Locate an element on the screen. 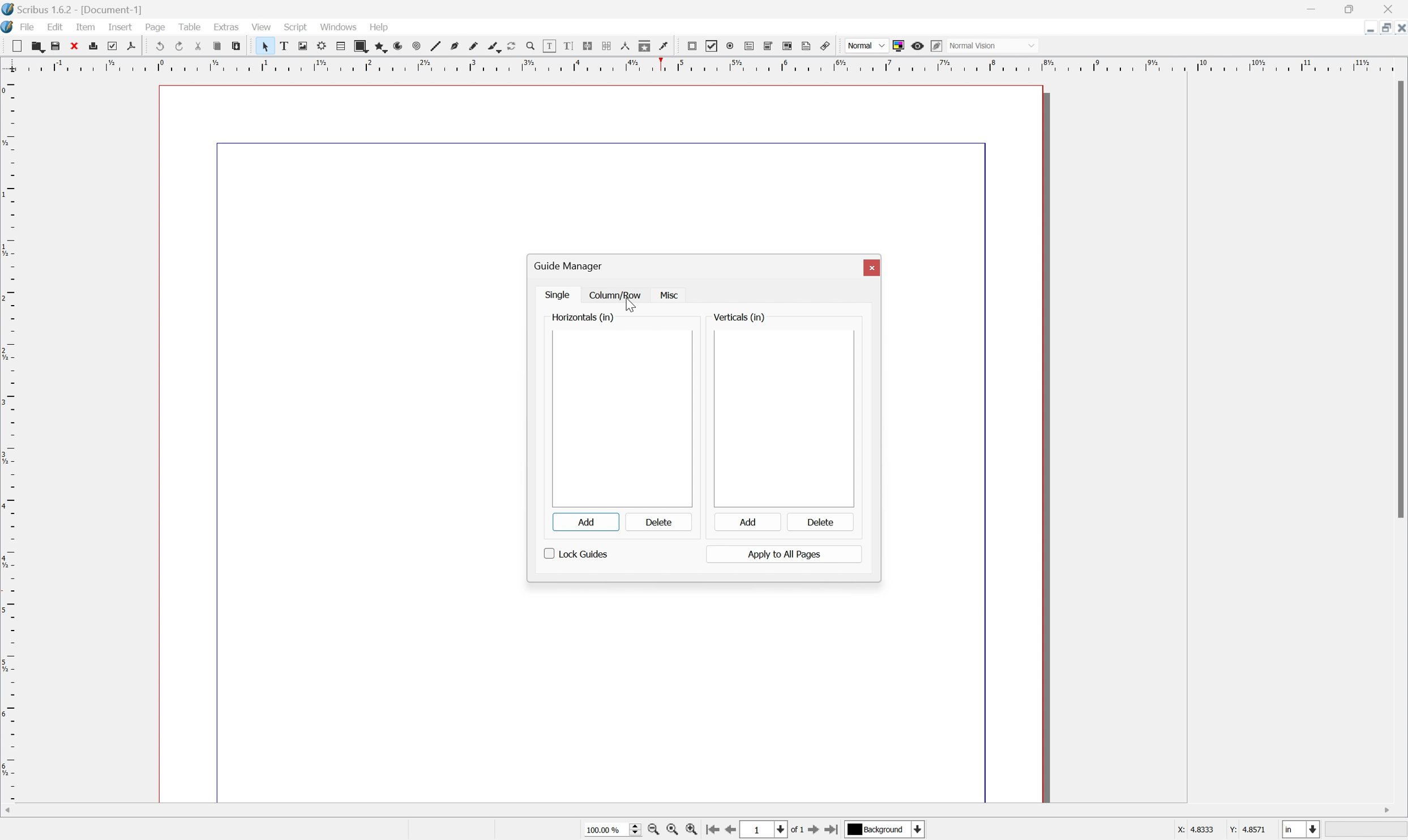  pdf combo box is located at coordinates (770, 45).